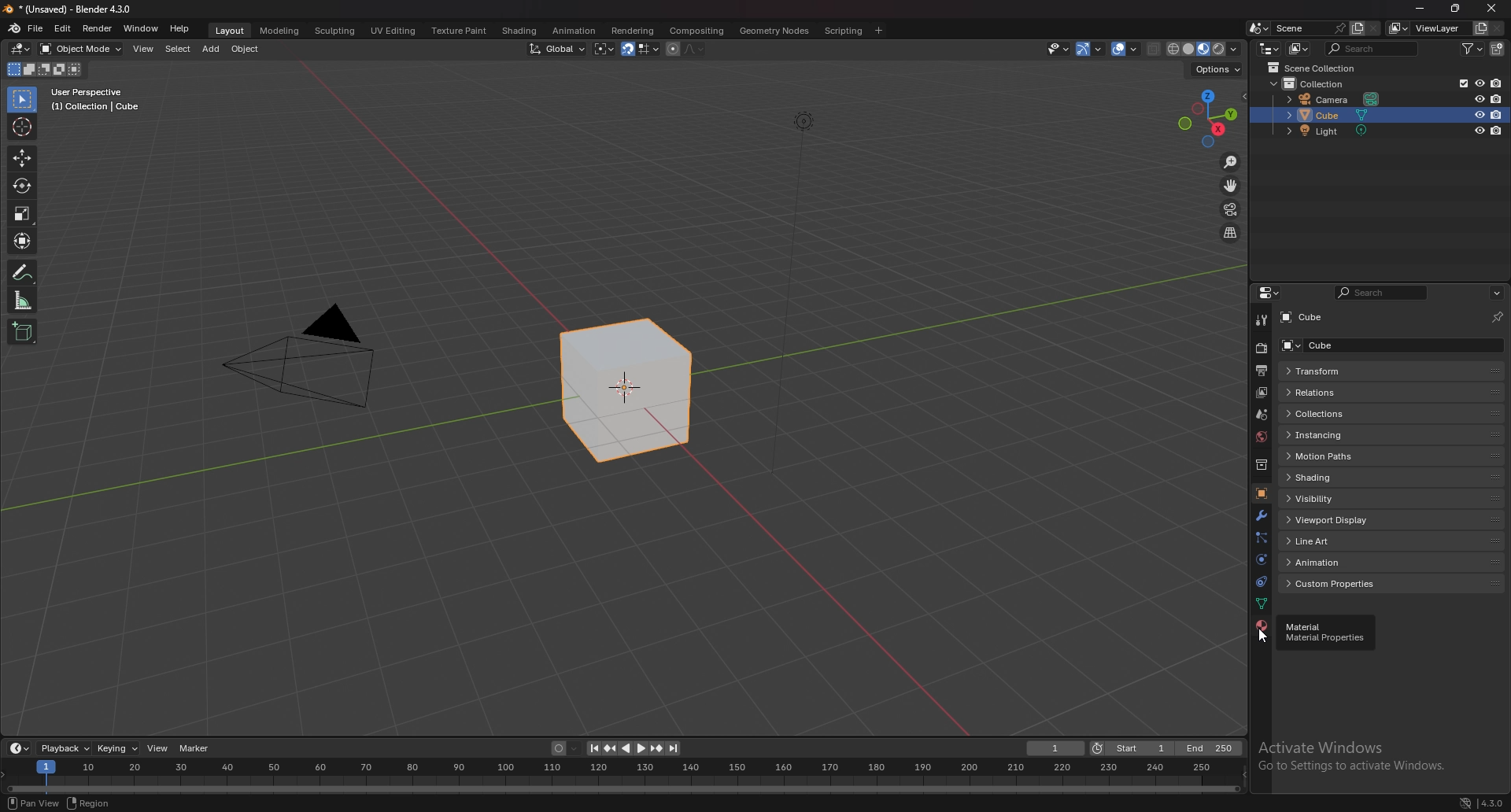 This screenshot has width=1511, height=812. Describe the element at coordinates (100, 101) in the screenshot. I see `User Perspective
(1) Collection | Cube` at that location.